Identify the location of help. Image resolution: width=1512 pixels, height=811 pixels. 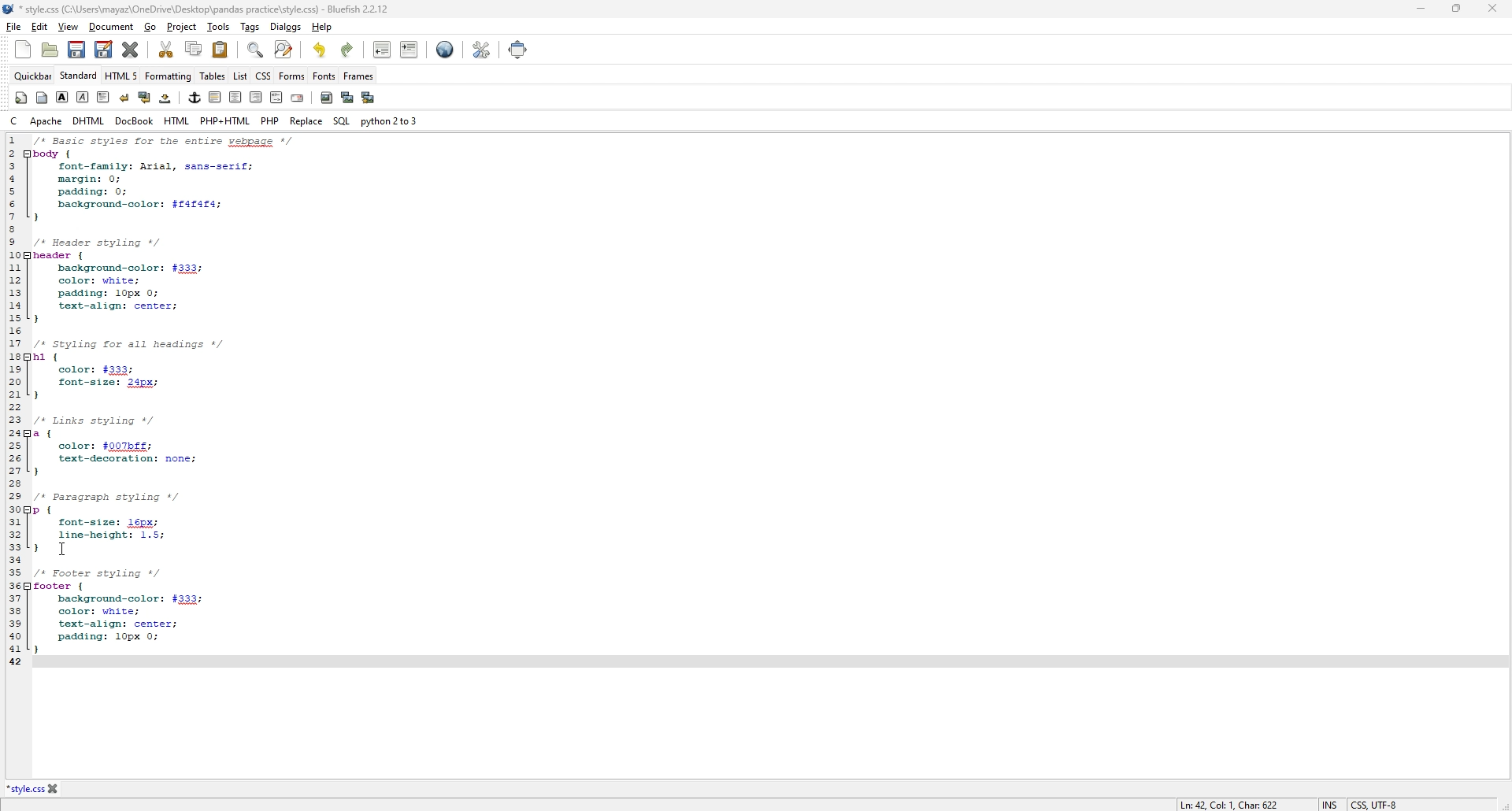
(322, 26).